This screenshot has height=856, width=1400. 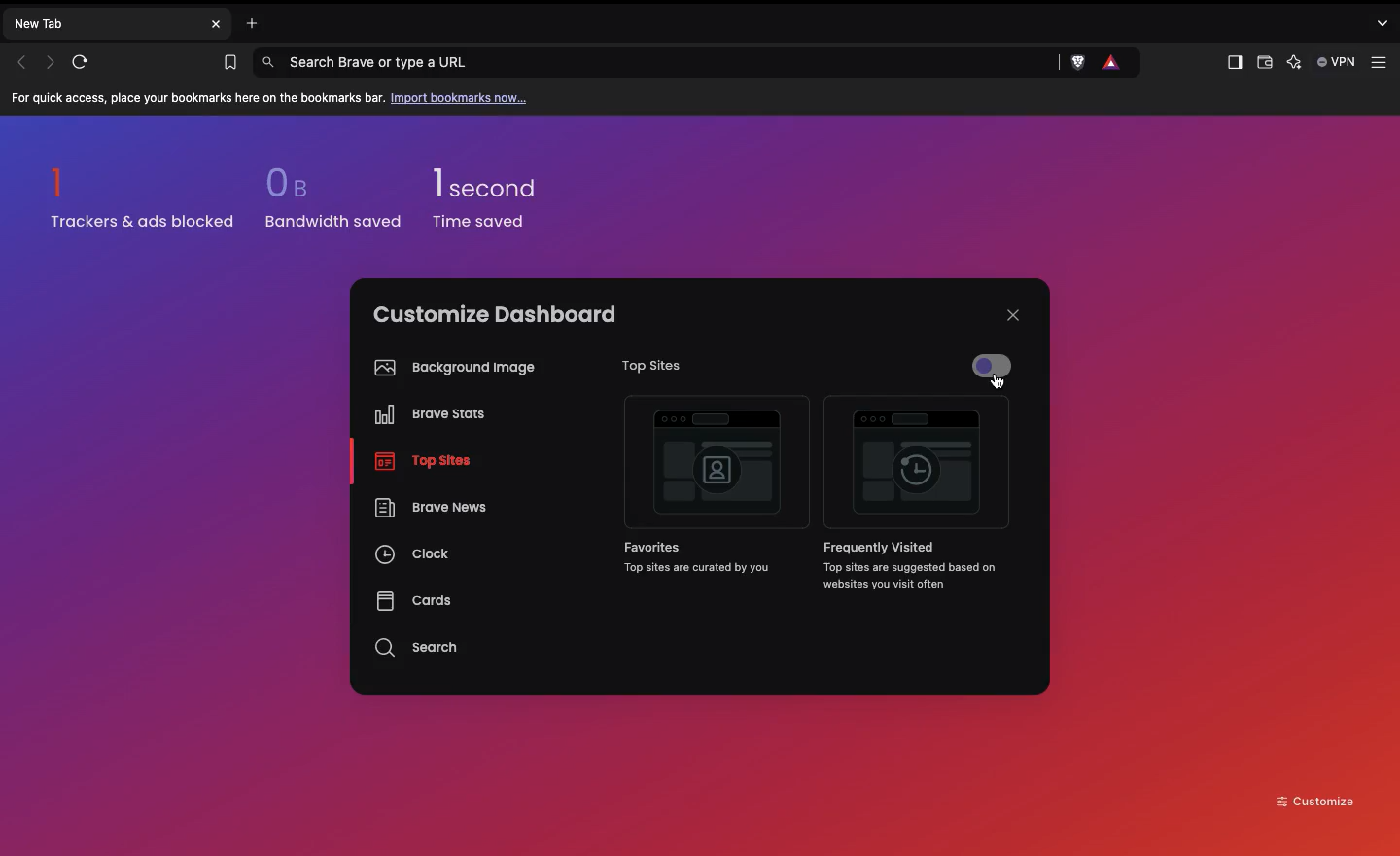 I want to click on Off, so click(x=995, y=372).